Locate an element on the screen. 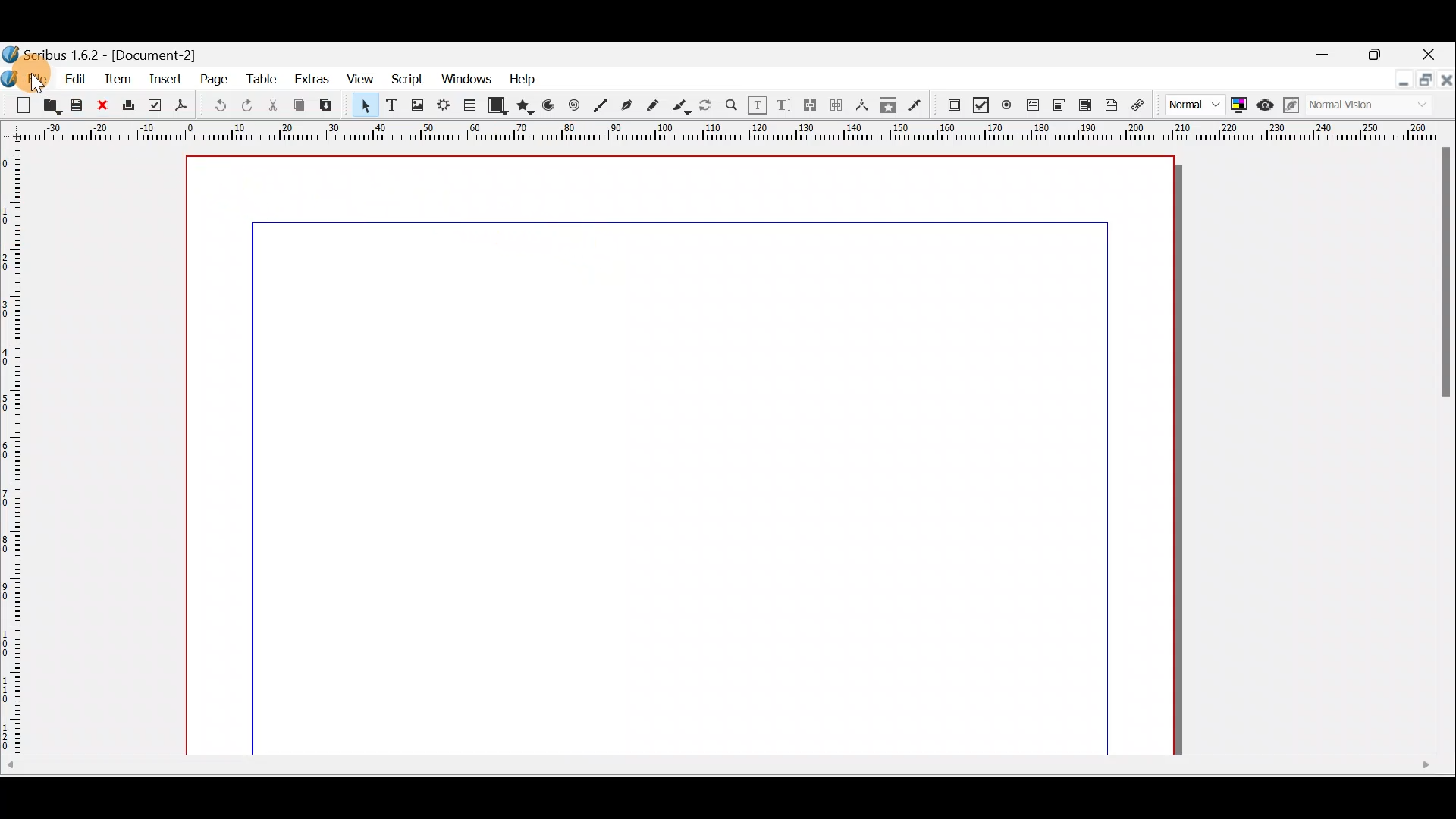 The width and height of the screenshot is (1456, 819). Measurements is located at coordinates (863, 105).